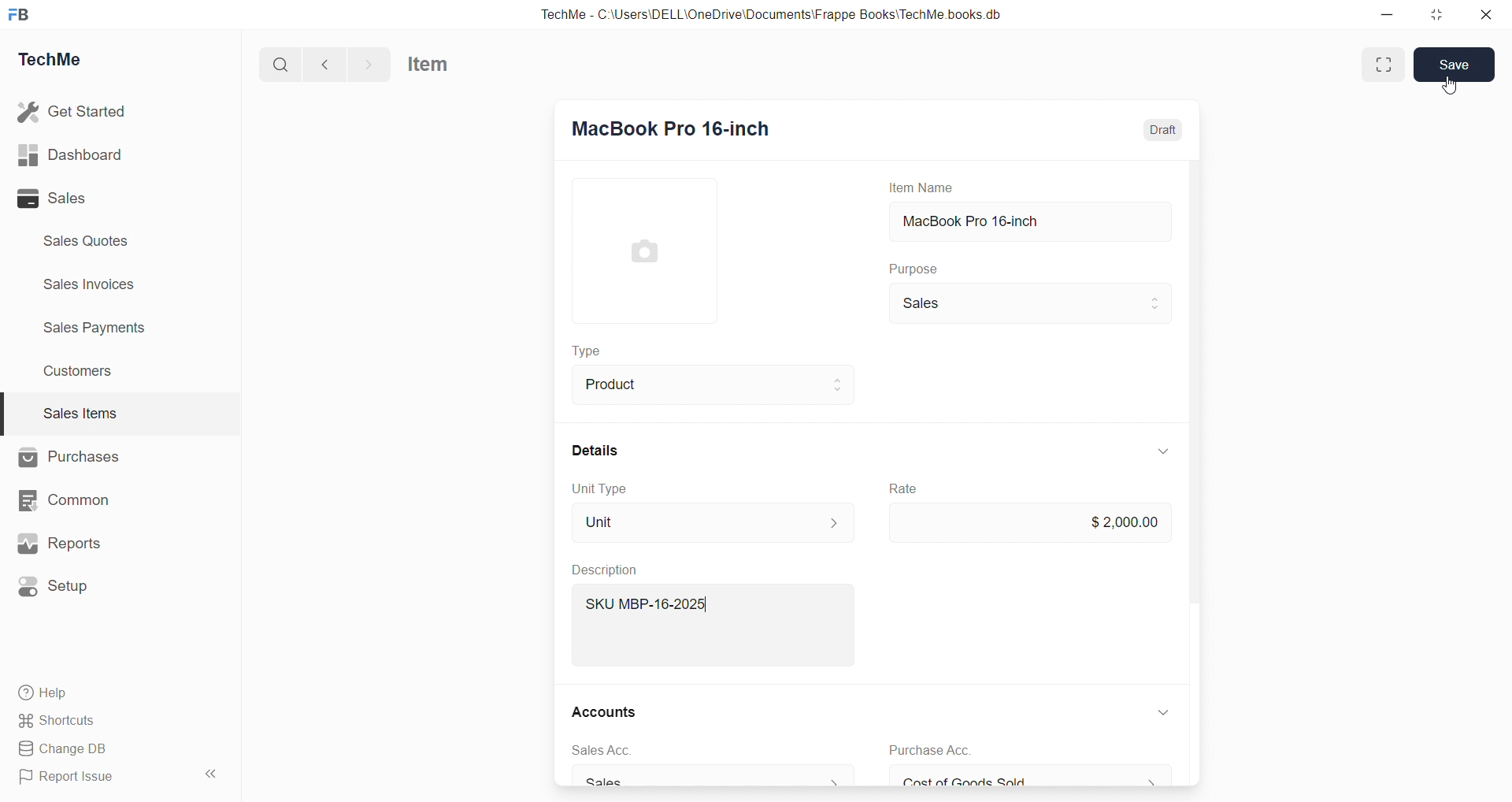 This screenshot has height=802, width=1512. What do you see at coordinates (1028, 524) in the screenshot?
I see `2,000.00` at bounding box center [1028, 524].